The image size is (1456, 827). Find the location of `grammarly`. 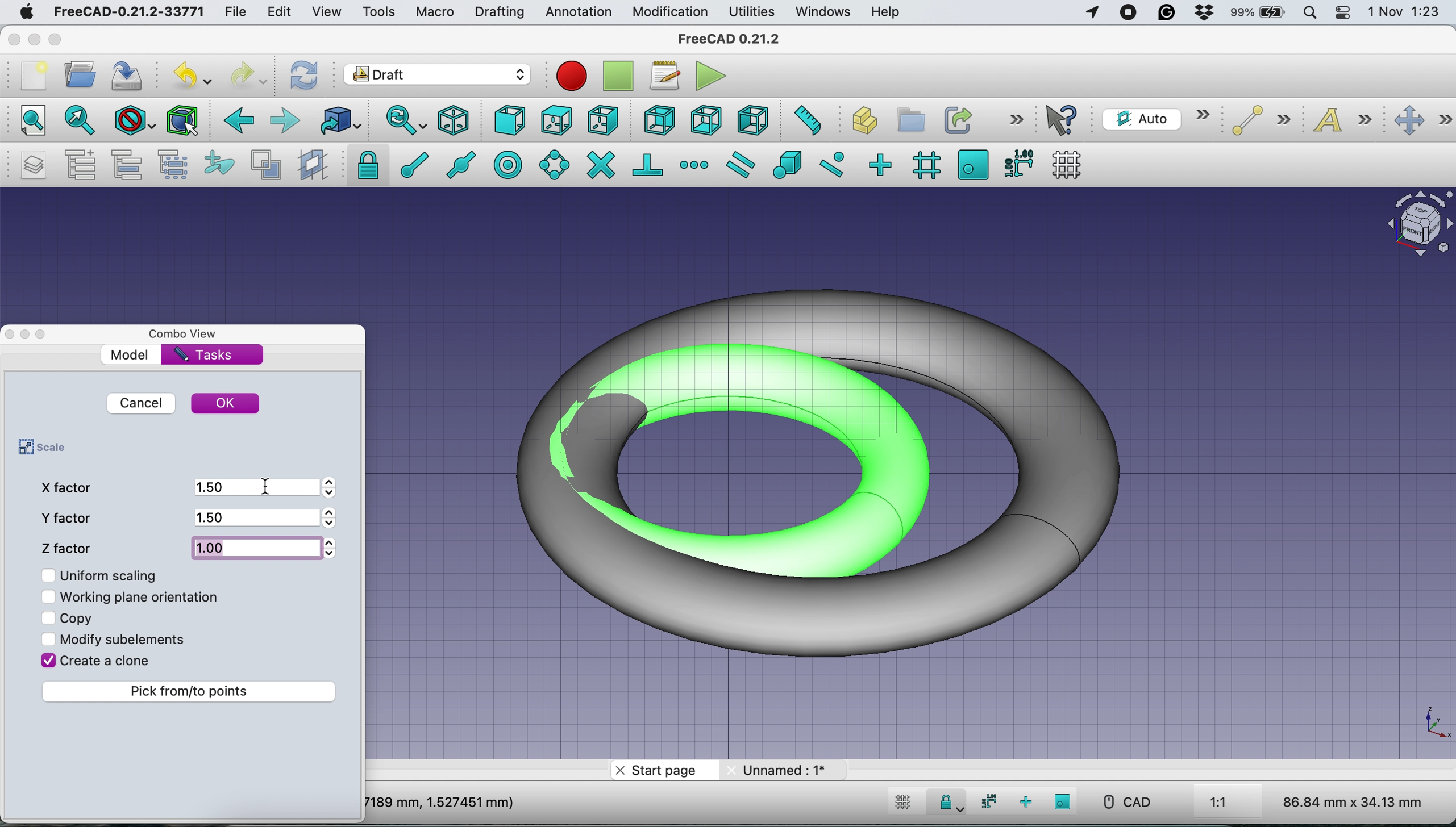

grammarly is located at coordinates (1165, 12).